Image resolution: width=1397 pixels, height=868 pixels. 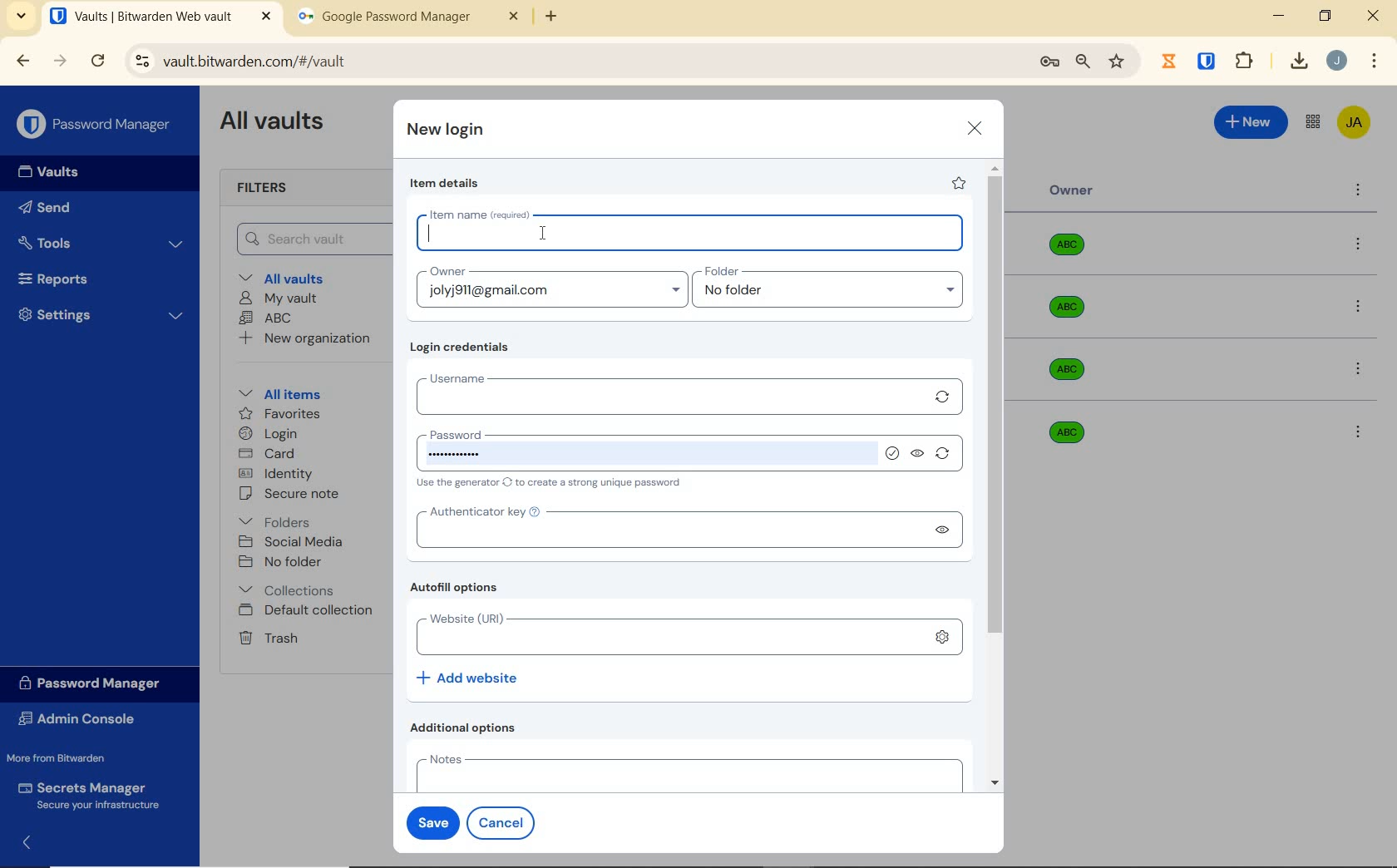 I want to click on Owner organization, so click(x=1073, y=251).